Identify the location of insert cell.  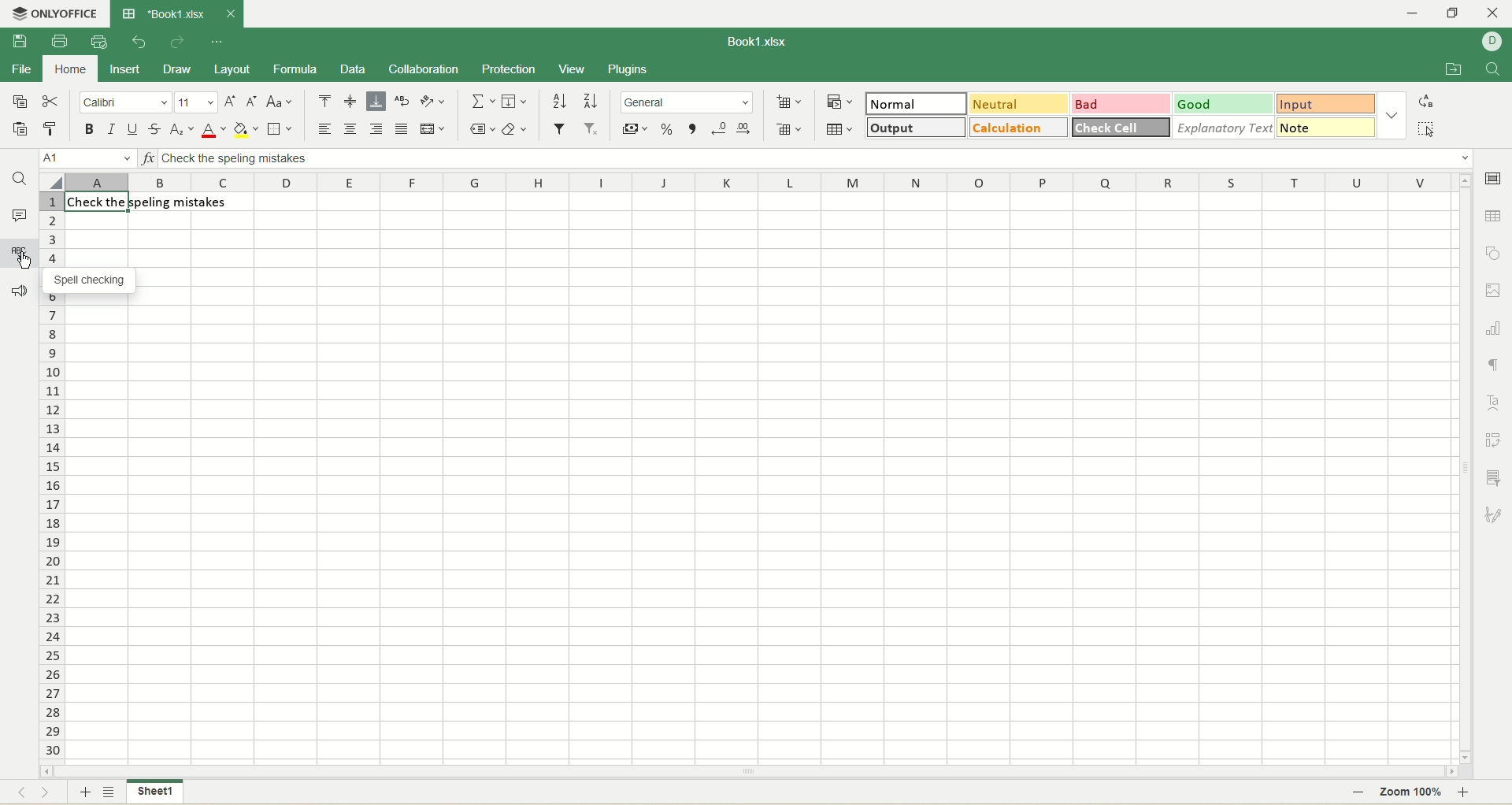
(789, 101).